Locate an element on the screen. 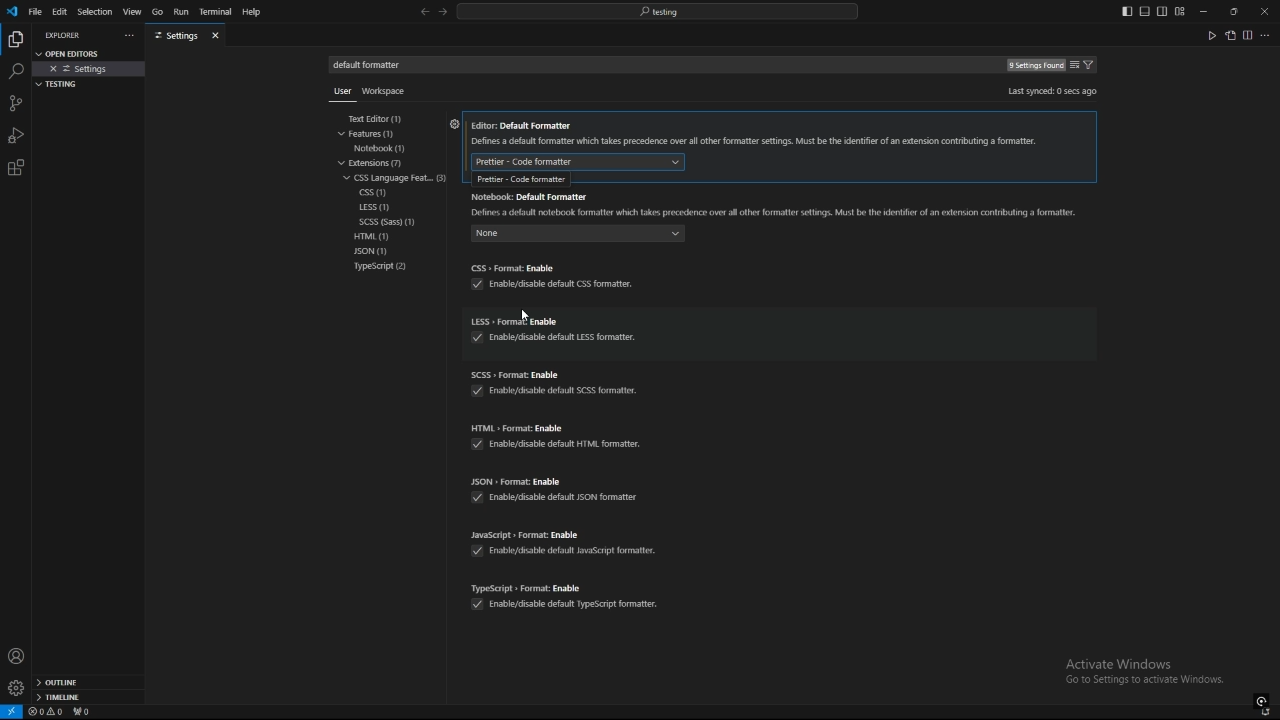  typescript format enable is located at coordinates (568, 584).